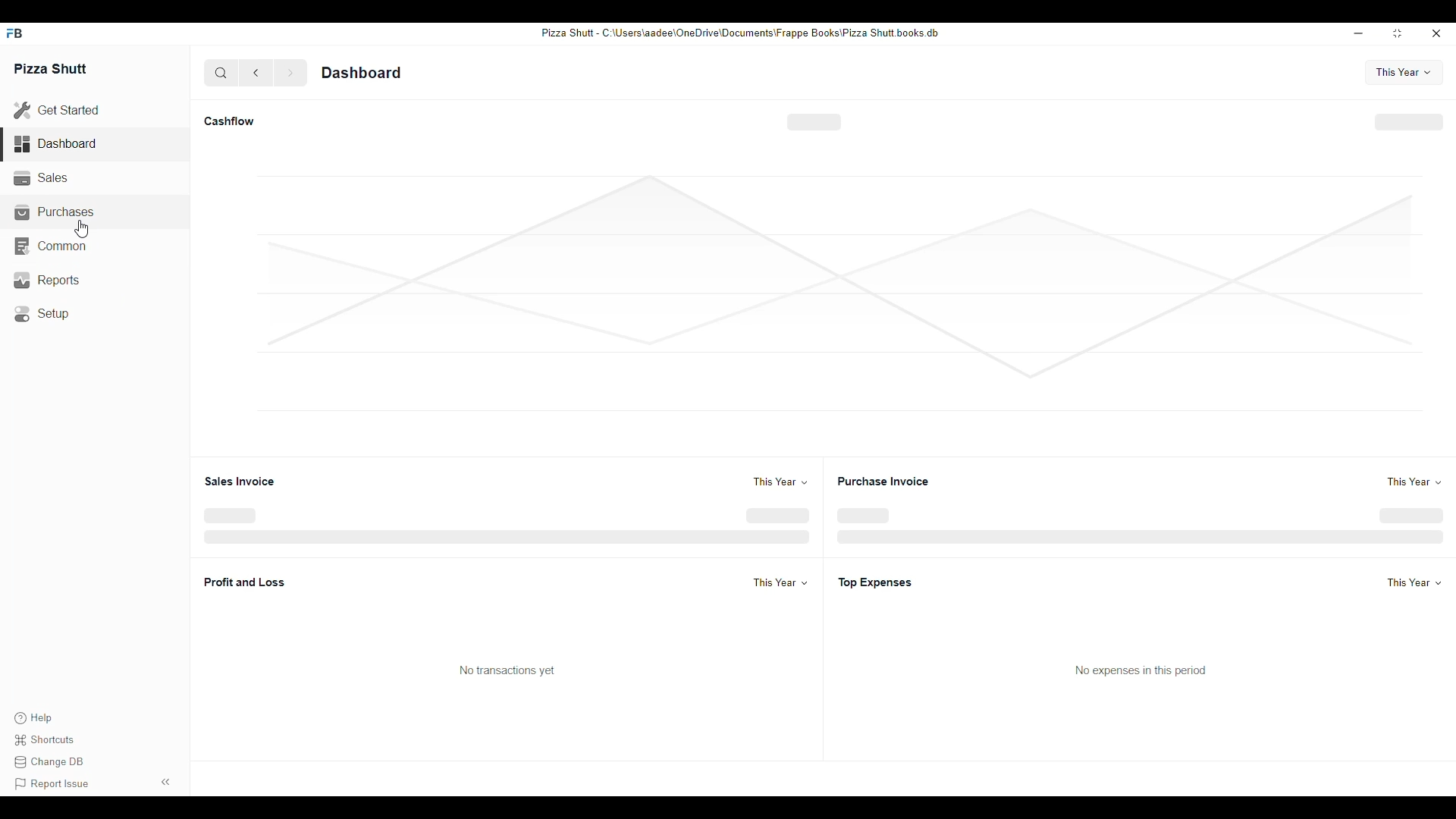 This screenshot has width=1456, height=819. Describe the element at coordinates (243, 582) in the screenshot. I see `Profit and Loss` at that location.